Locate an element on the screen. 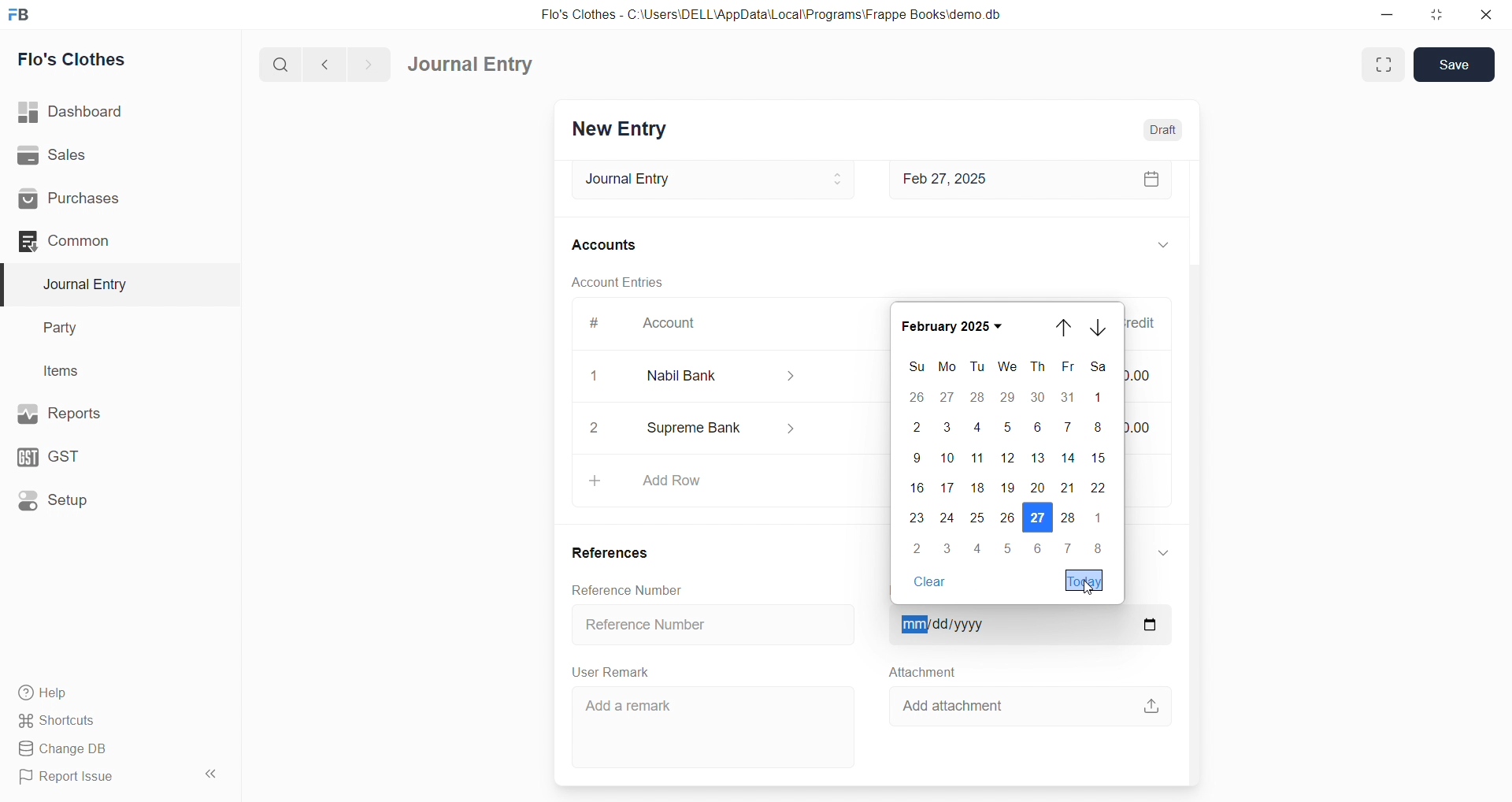  selected is located at coordinates (9, 284).